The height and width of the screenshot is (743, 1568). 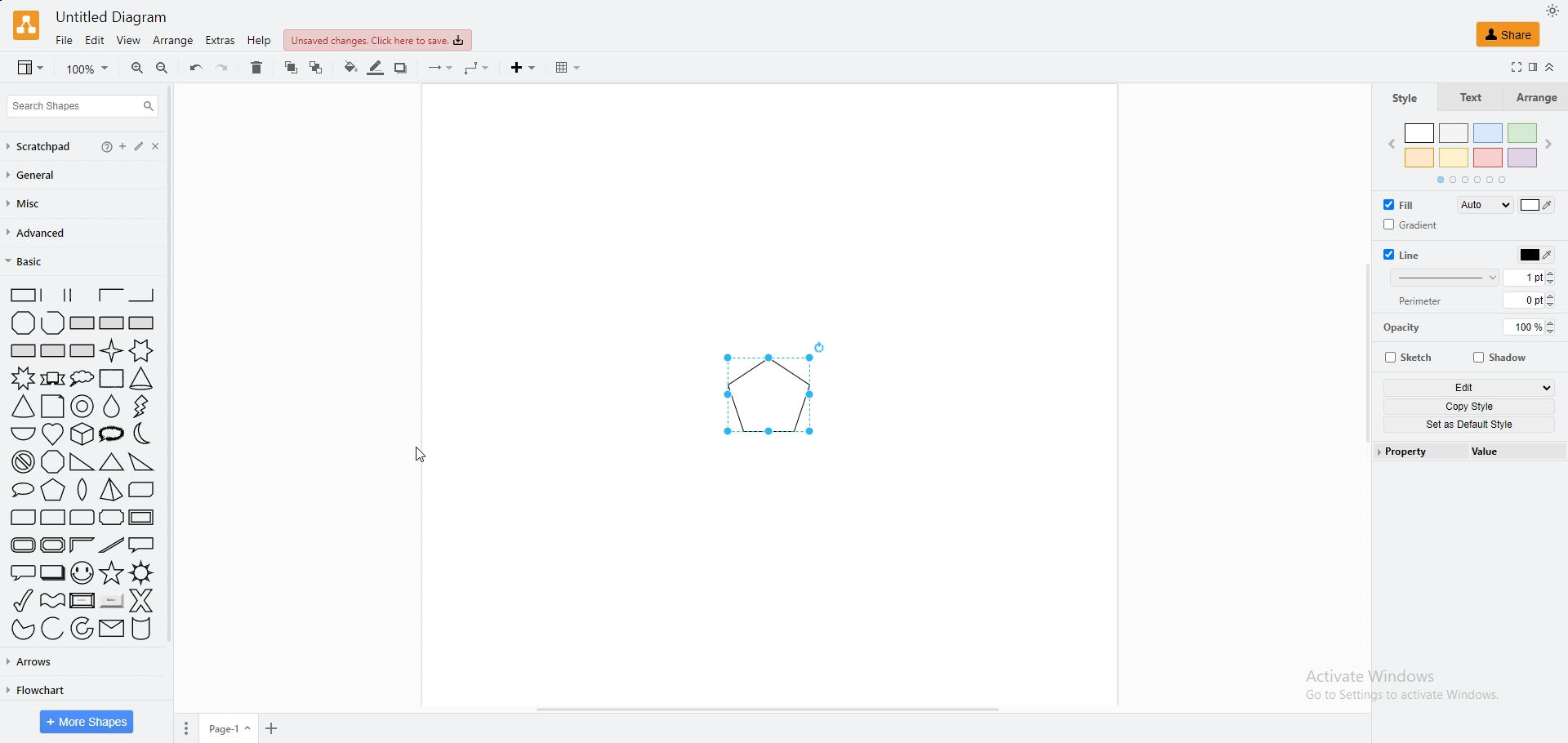 I want to click on cone (adjustable), so click(x=24, y=407).